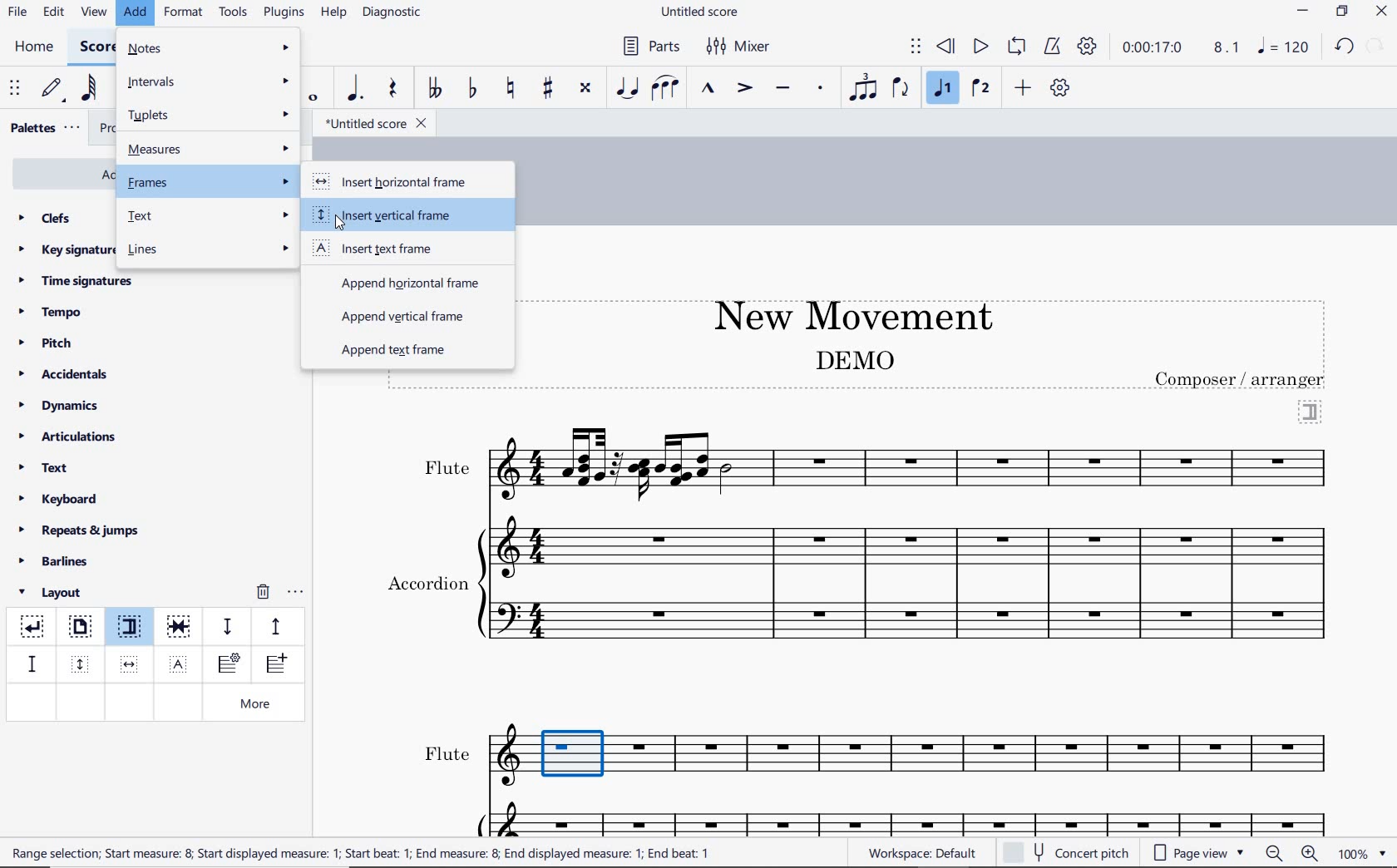 This screenshot has height=868, width=1397. What do you see at coordinates (284, 13) in the screenshot?
I see `plugins` at bounding box center [284, 13].